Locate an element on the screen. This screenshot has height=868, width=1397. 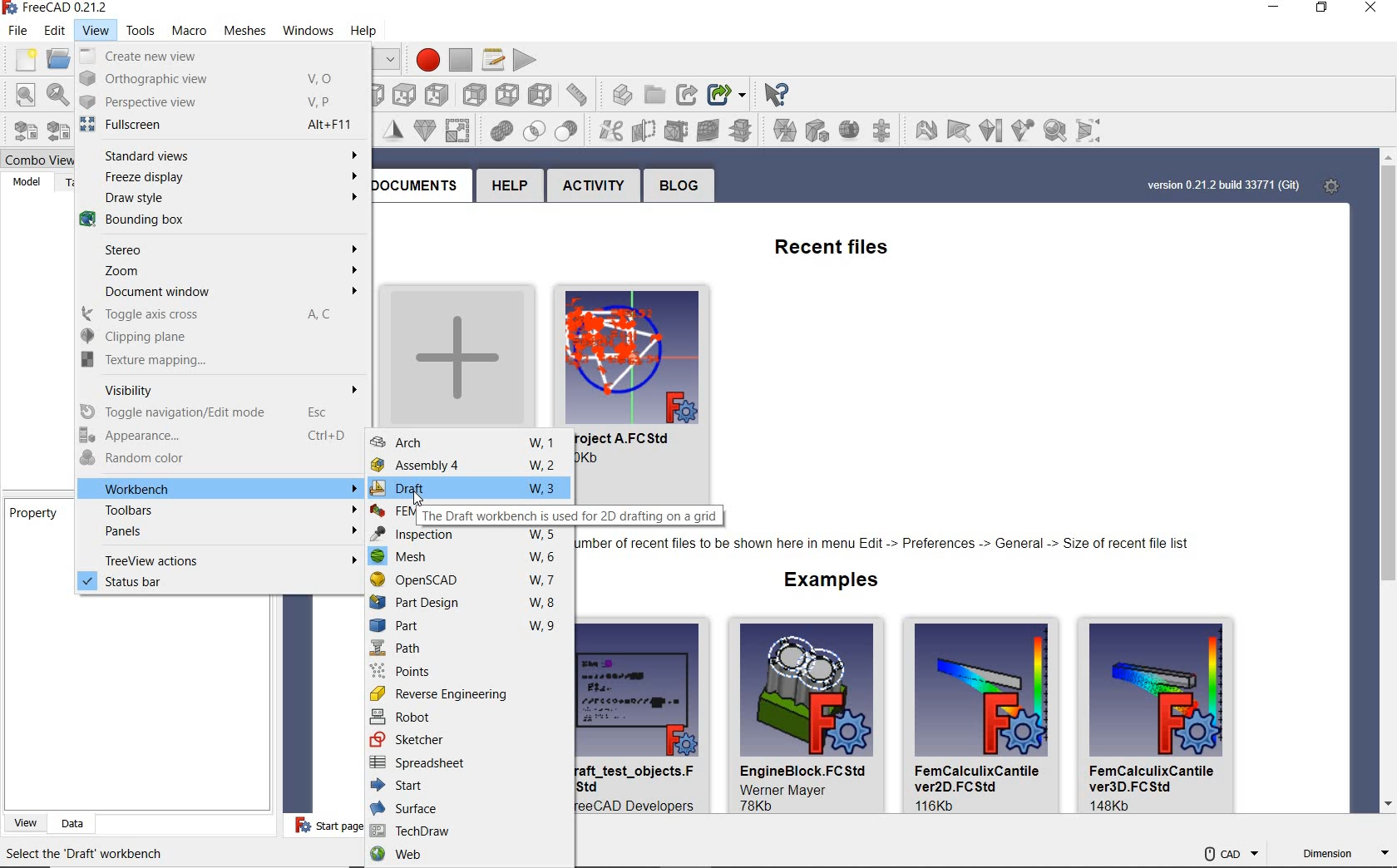
top is located at coordinates (371, 91).